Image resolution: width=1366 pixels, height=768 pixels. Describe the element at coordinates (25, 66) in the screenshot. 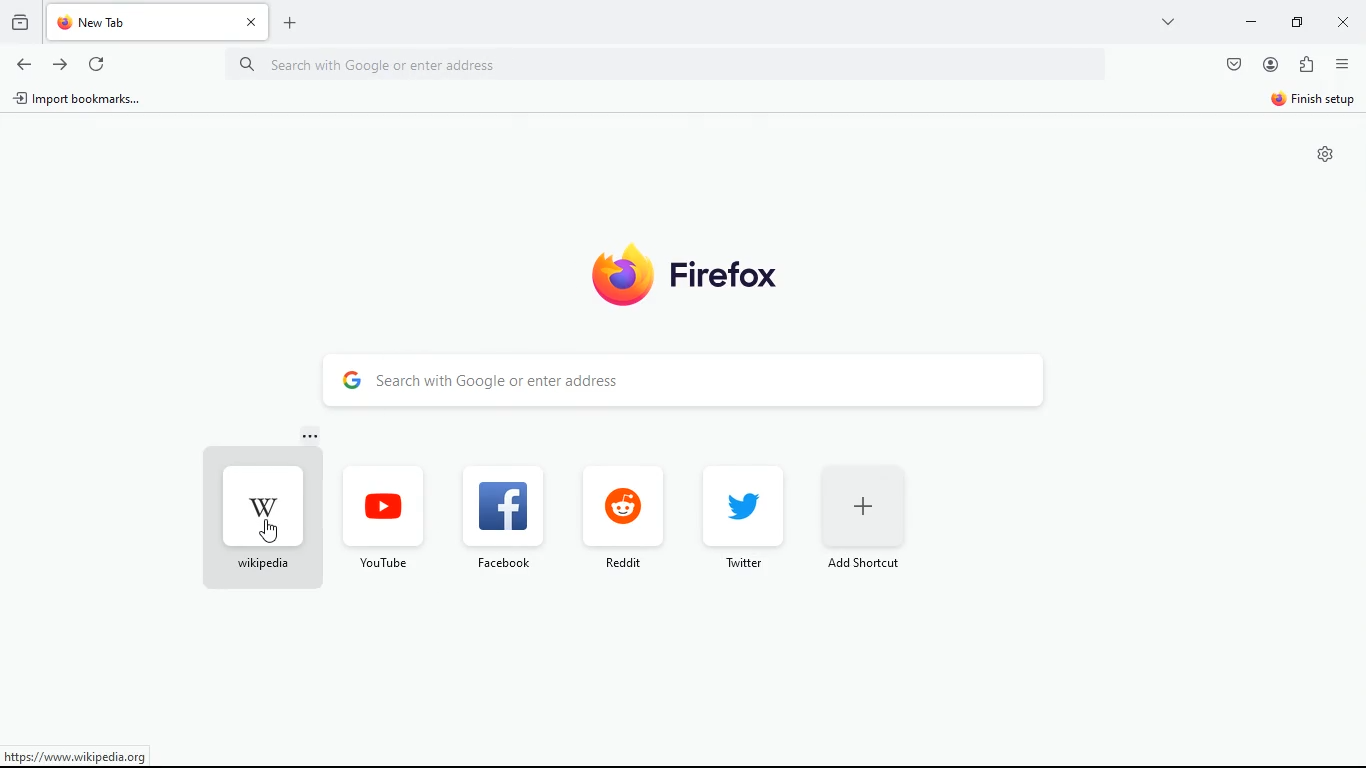

I see `back` at that location.